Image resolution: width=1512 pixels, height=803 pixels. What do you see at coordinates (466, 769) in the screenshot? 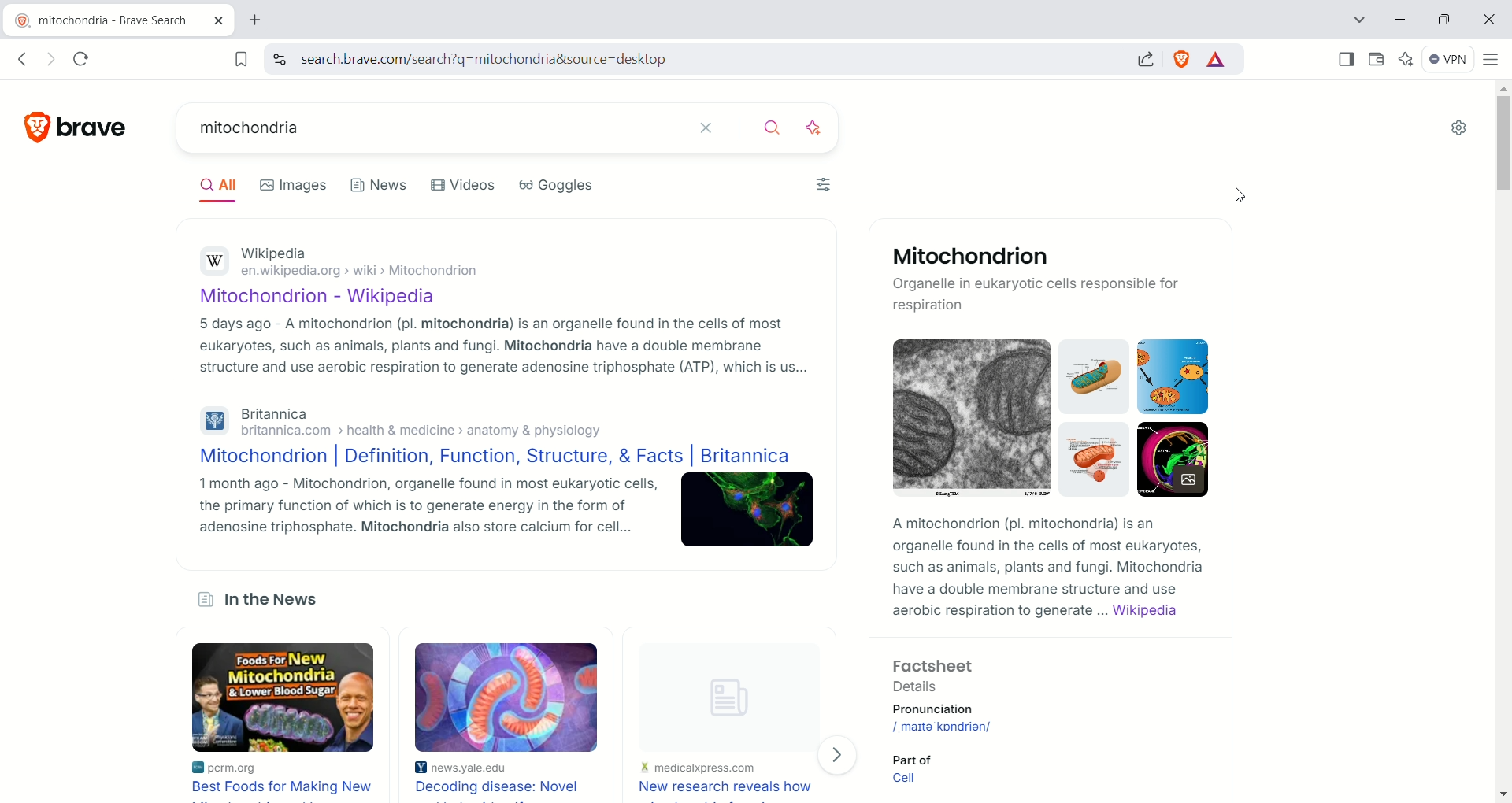
I see `news.yale.edu` at bounding box center [466, 769].